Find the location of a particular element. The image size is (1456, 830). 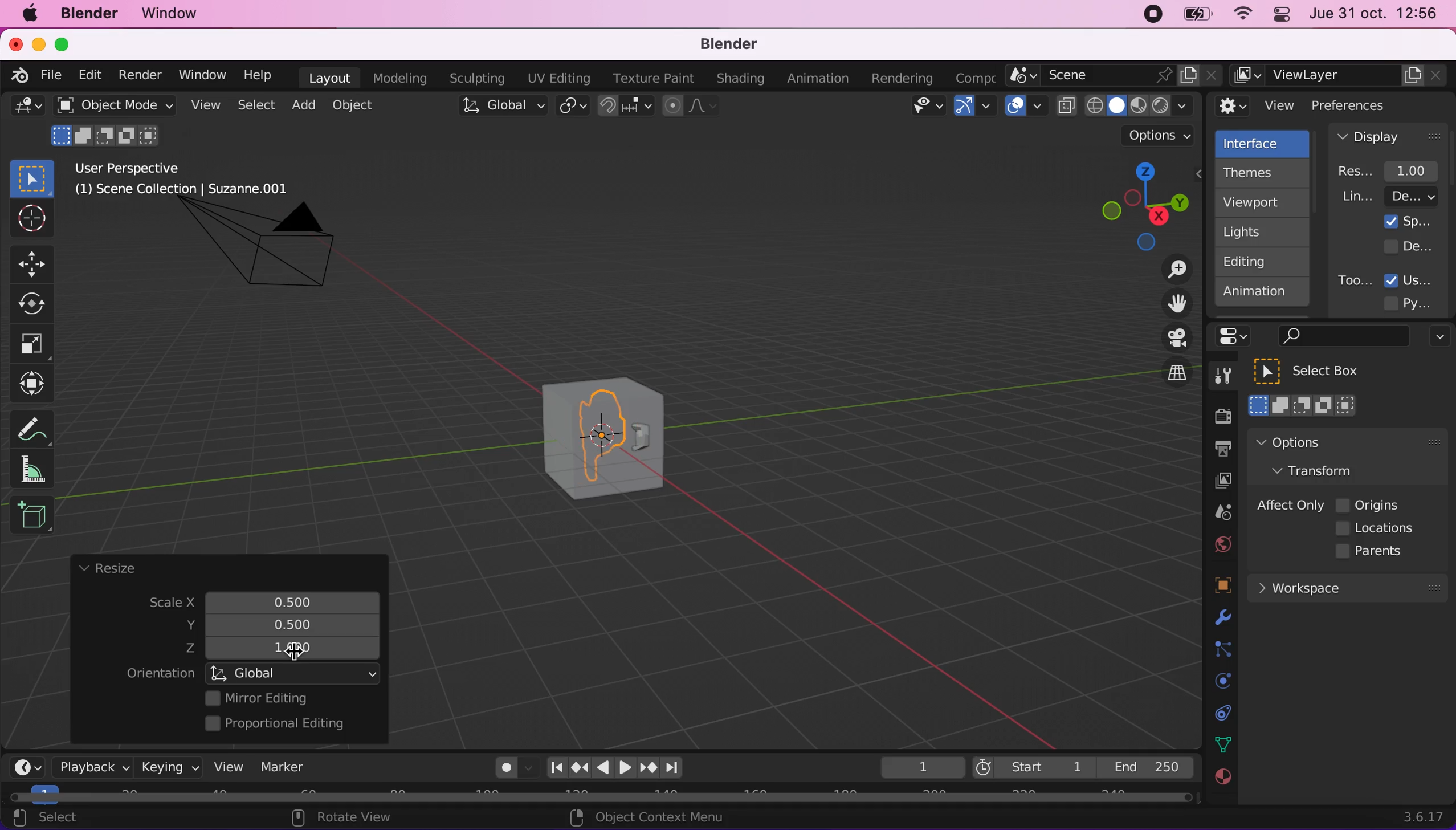

animation is located at coordinates (1263, 295).